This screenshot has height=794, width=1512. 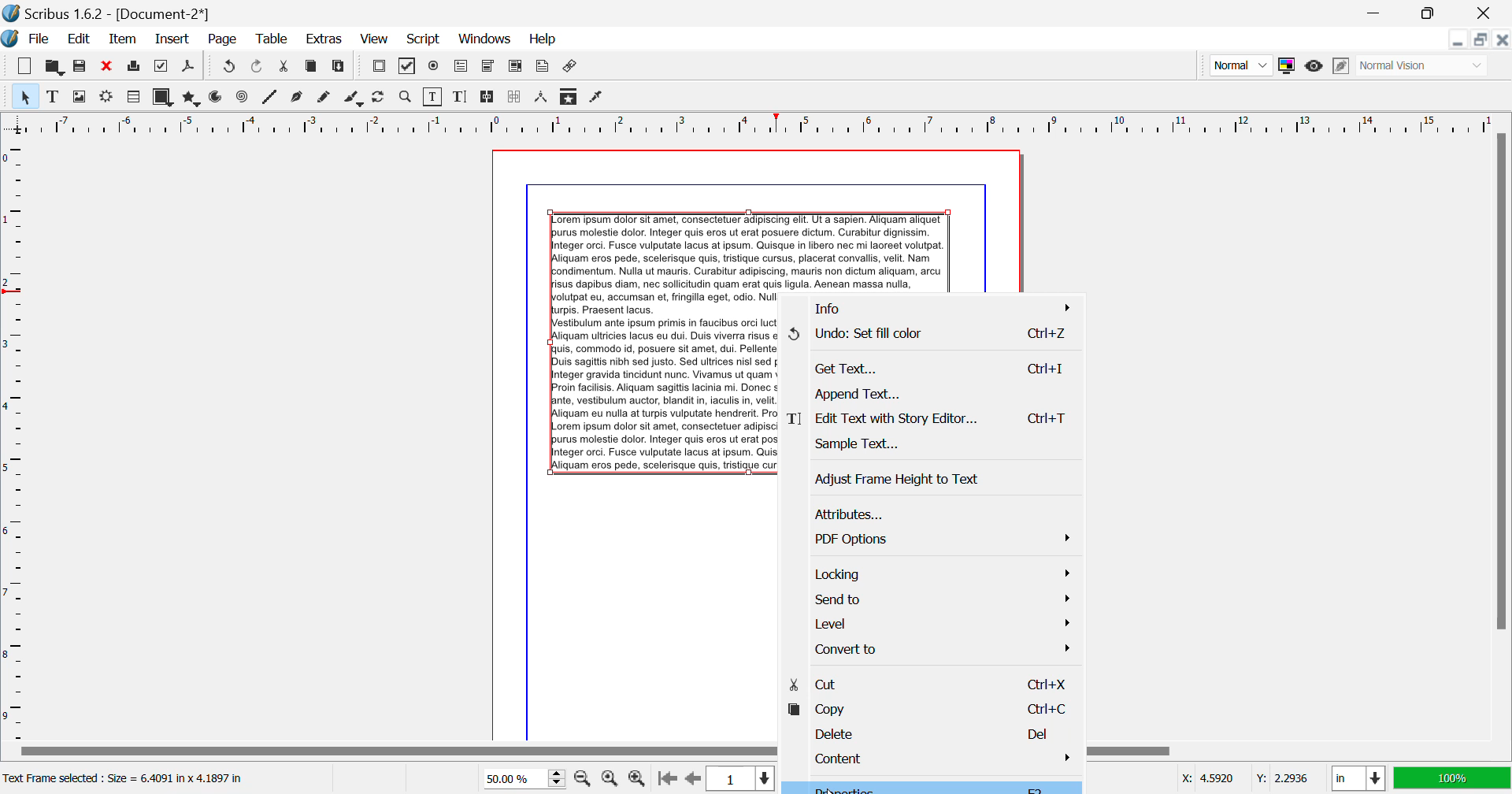 I want to click on Preflight Verifier, so click(x=162, y=66).